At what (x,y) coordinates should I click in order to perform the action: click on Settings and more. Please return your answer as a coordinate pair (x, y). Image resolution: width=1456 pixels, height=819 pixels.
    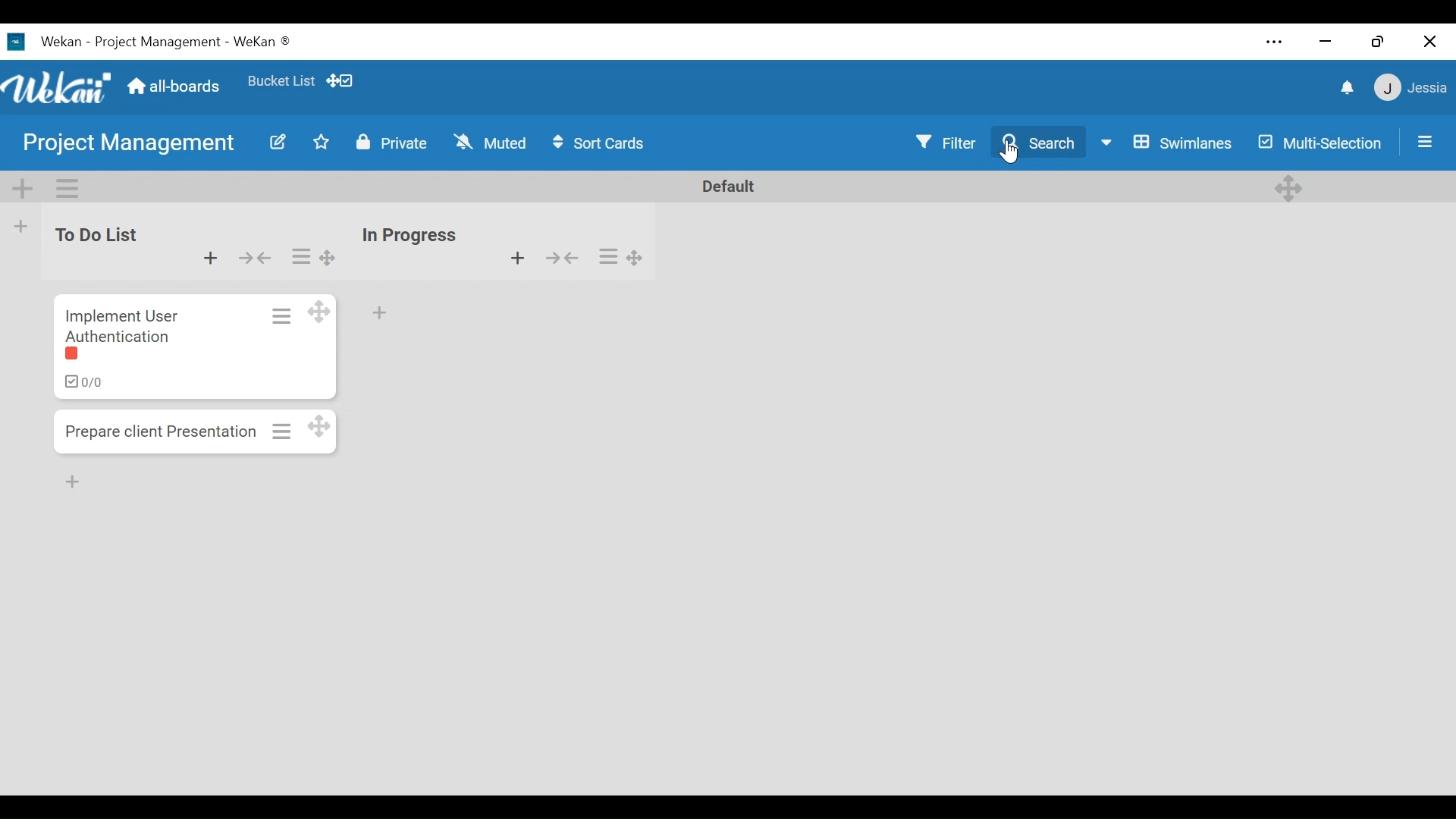
    Looking at the image, I should click on (1275, 43).